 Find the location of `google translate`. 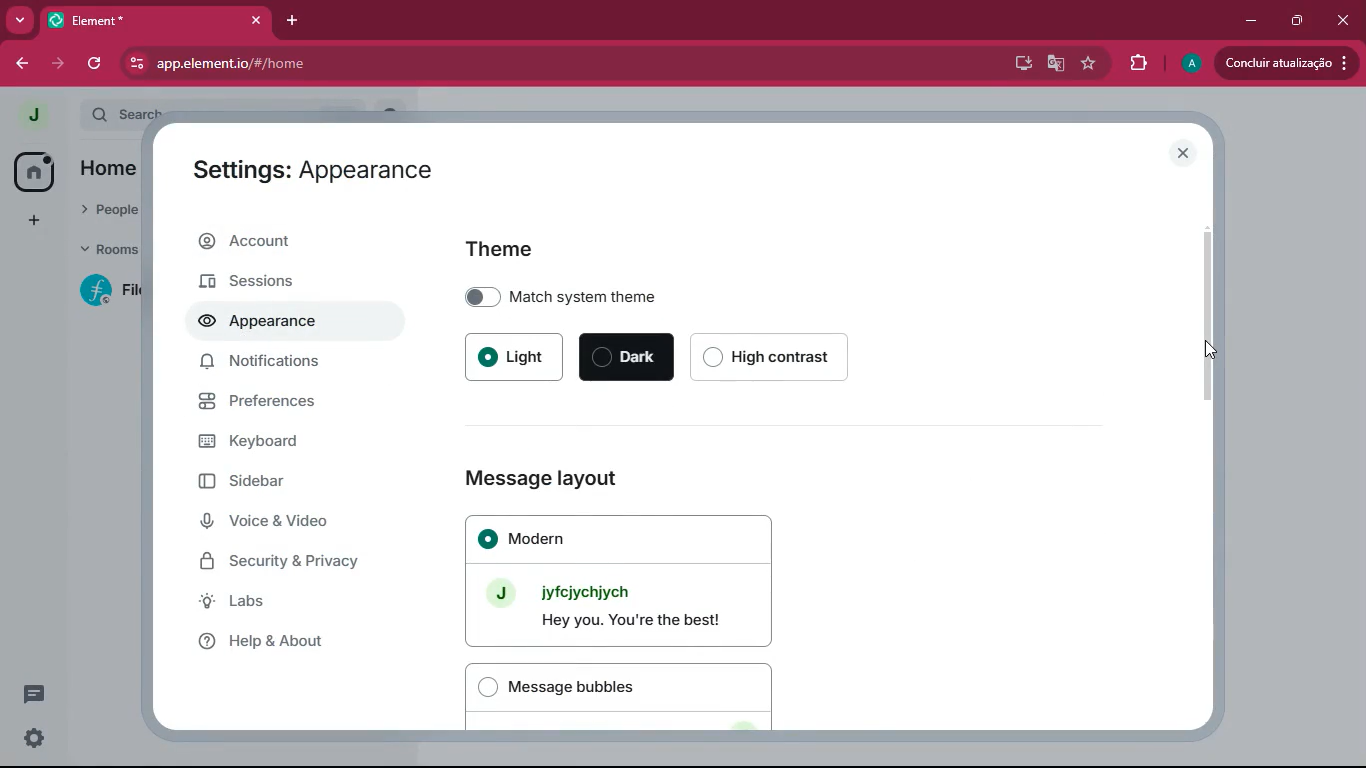

google translate is located at coordinates (1057, 65).